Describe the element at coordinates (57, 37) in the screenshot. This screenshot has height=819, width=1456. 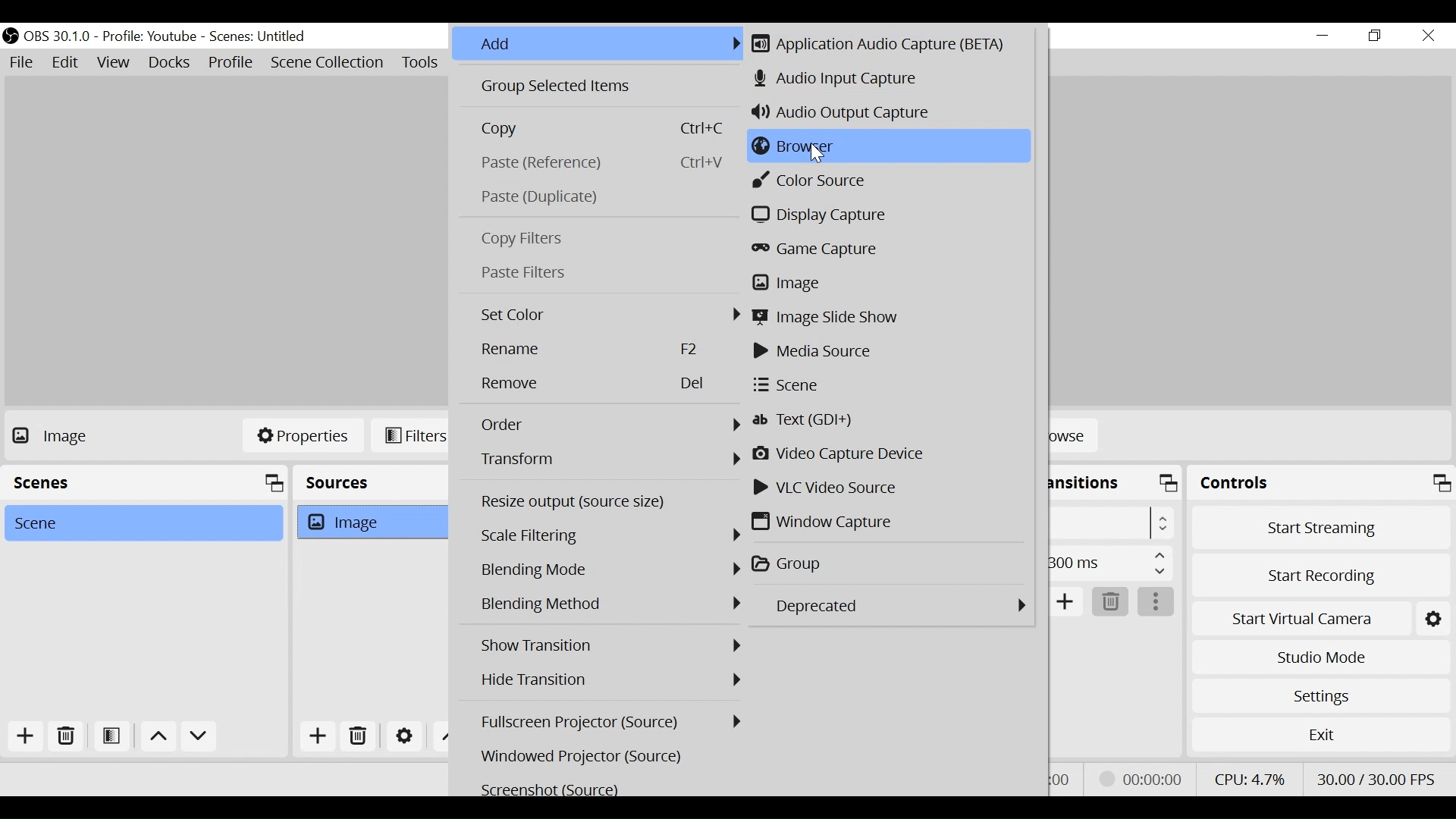
I see `OBS Version` at that location.